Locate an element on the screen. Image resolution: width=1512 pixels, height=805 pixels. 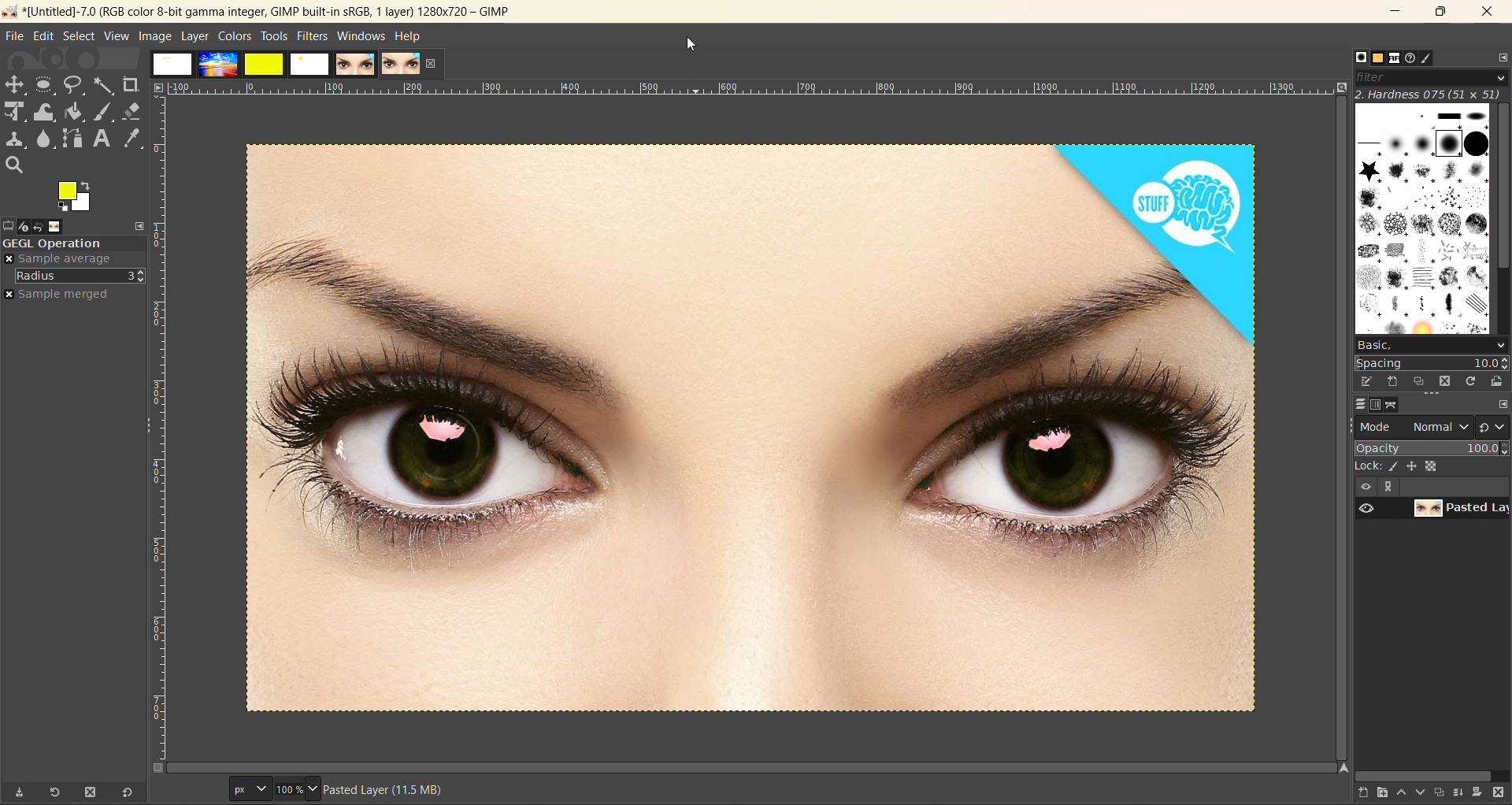
tool options is located at coordinates (9, 224).